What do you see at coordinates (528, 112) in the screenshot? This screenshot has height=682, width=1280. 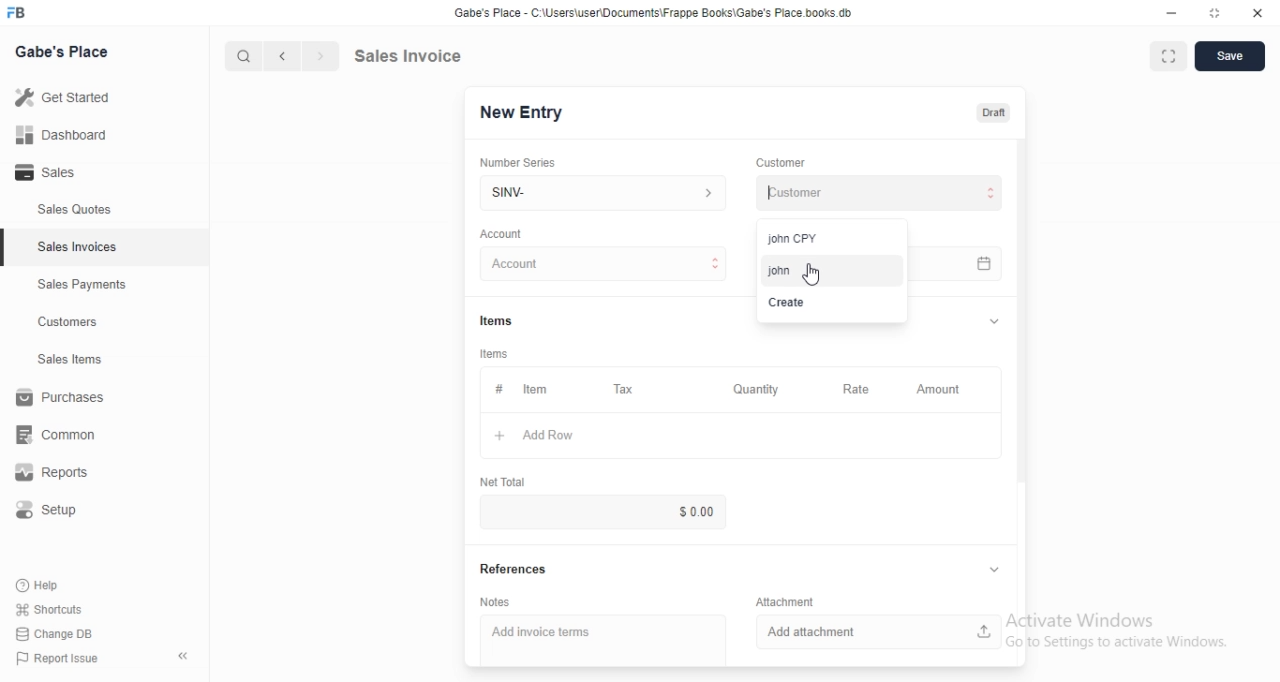 I see `New Entry` at bounding box center [528, 112].